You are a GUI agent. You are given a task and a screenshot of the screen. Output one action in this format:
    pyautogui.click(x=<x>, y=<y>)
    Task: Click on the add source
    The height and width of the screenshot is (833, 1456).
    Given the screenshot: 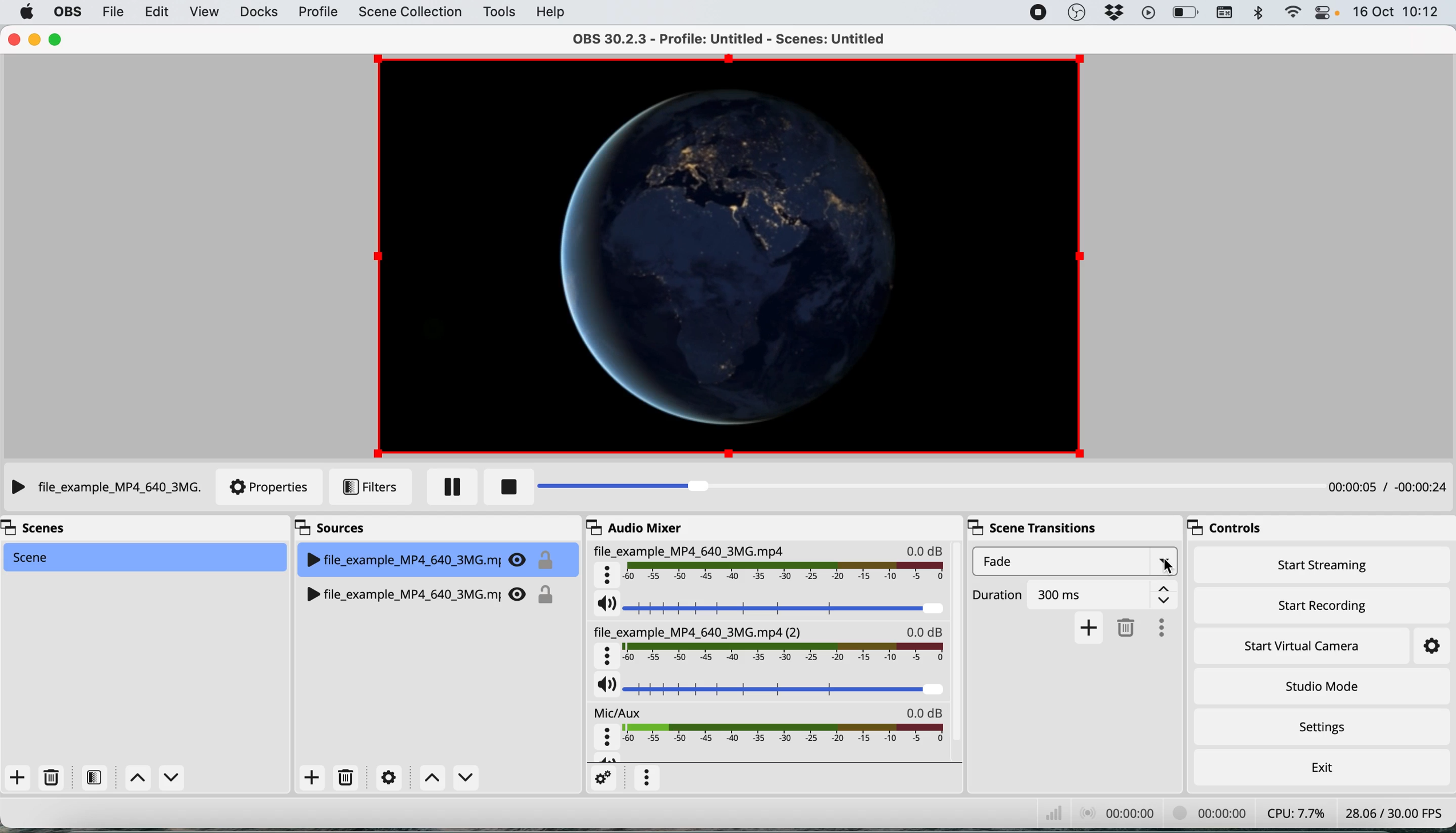 What is the action you would take?
    pyautogui.click(x=310, y=776)
    